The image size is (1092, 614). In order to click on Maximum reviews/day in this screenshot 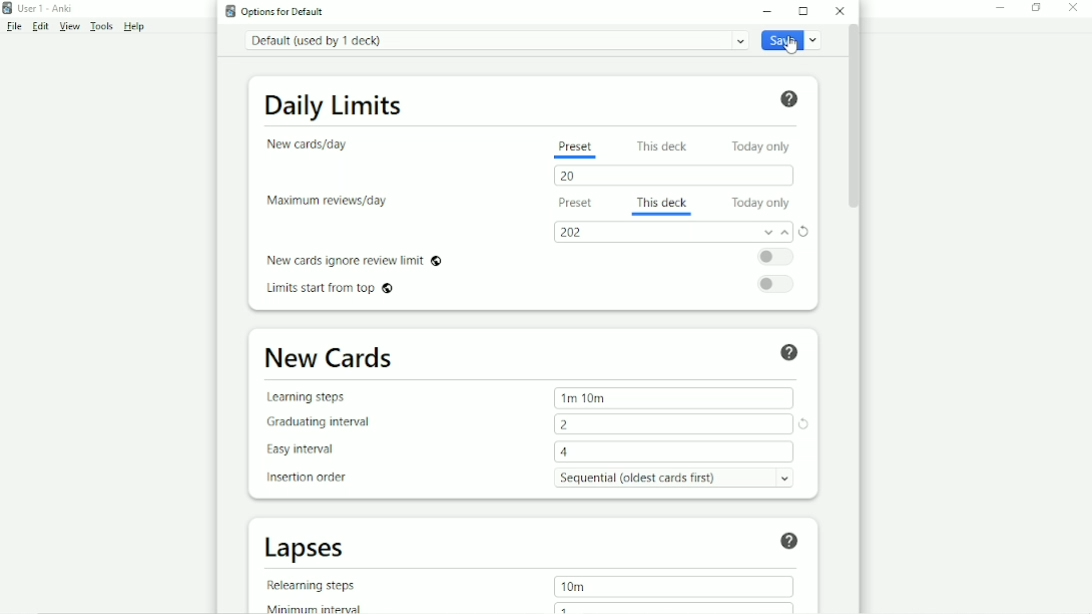, I will do `click(327, 201)`.